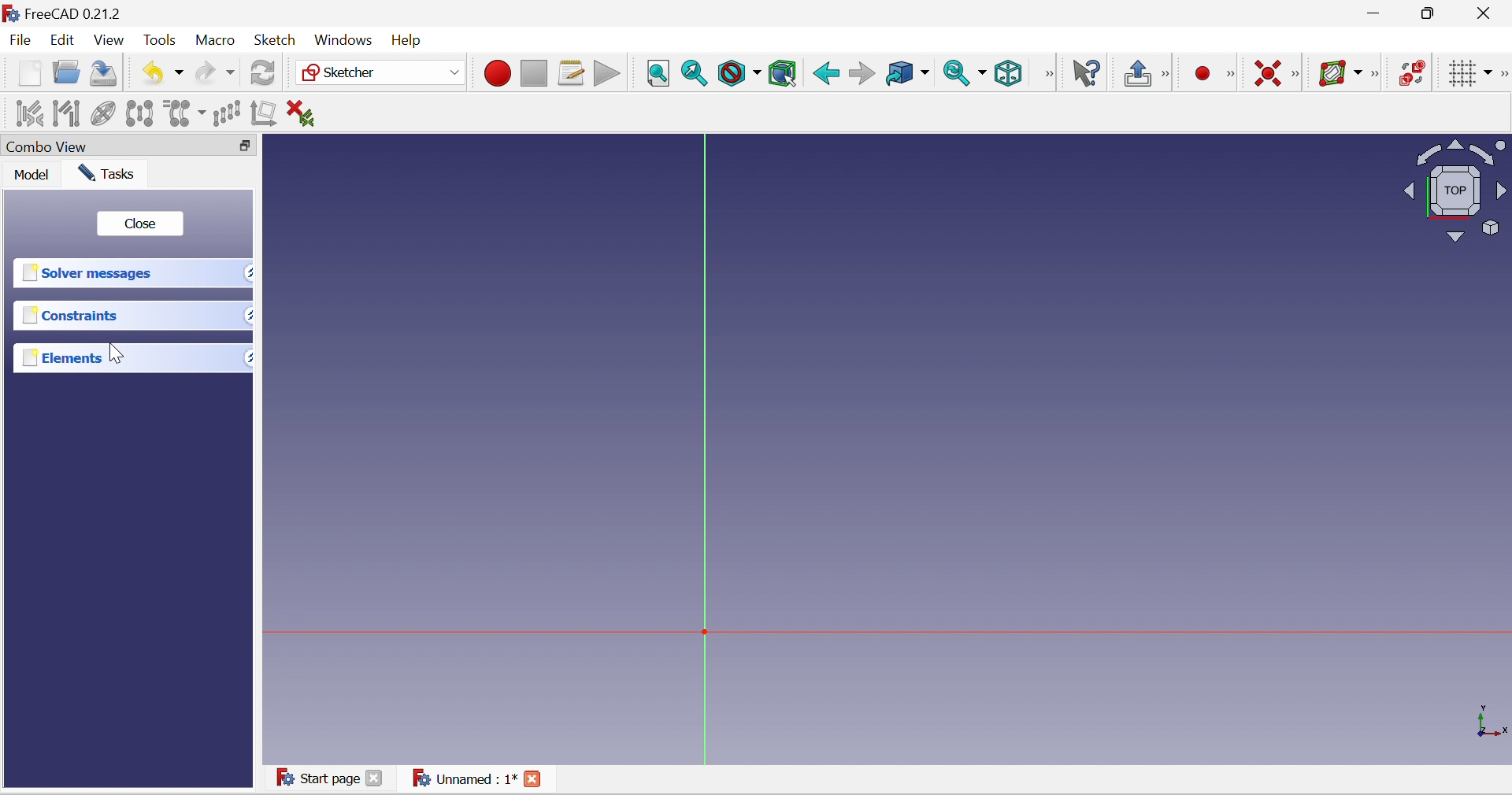  What do you see at coordinates (216, 41) in the screenshot?
I see `Macro` at bounding box center [216, 41].